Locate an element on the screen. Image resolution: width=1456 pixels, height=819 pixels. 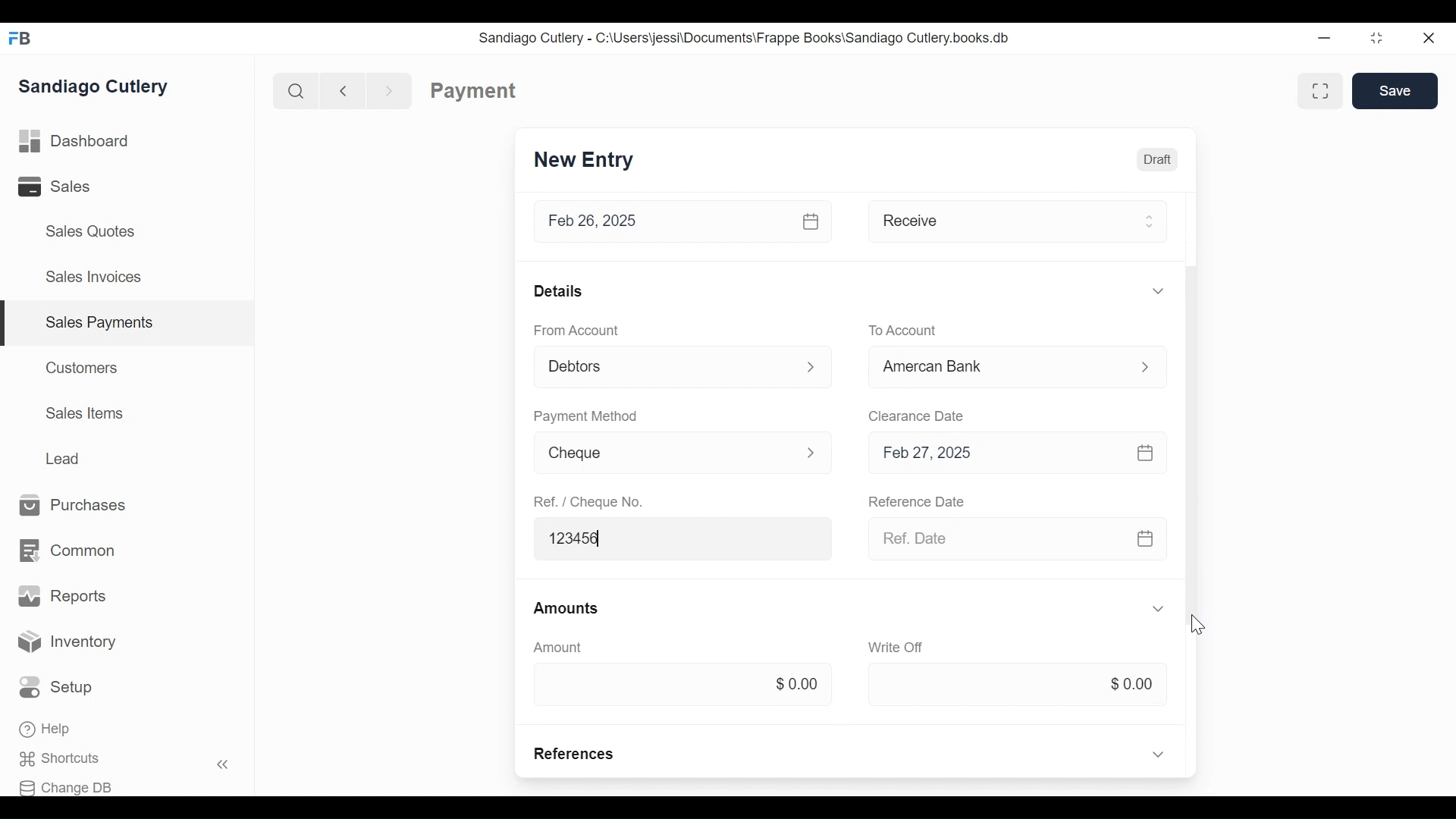
123456 is located at coordinates (685, 538).